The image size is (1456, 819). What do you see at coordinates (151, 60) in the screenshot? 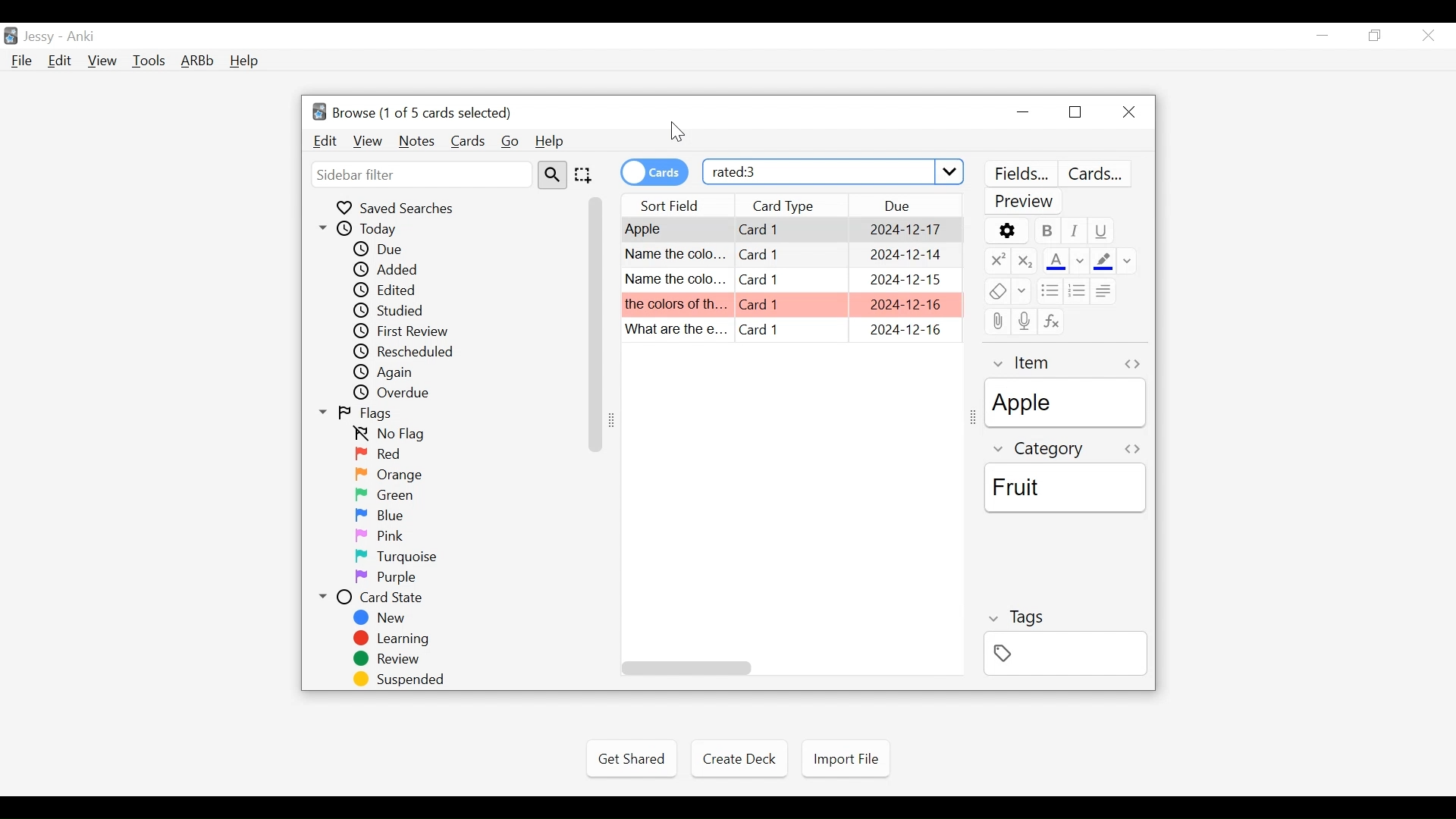
I see `Tools` at bounding box center [151, 60].